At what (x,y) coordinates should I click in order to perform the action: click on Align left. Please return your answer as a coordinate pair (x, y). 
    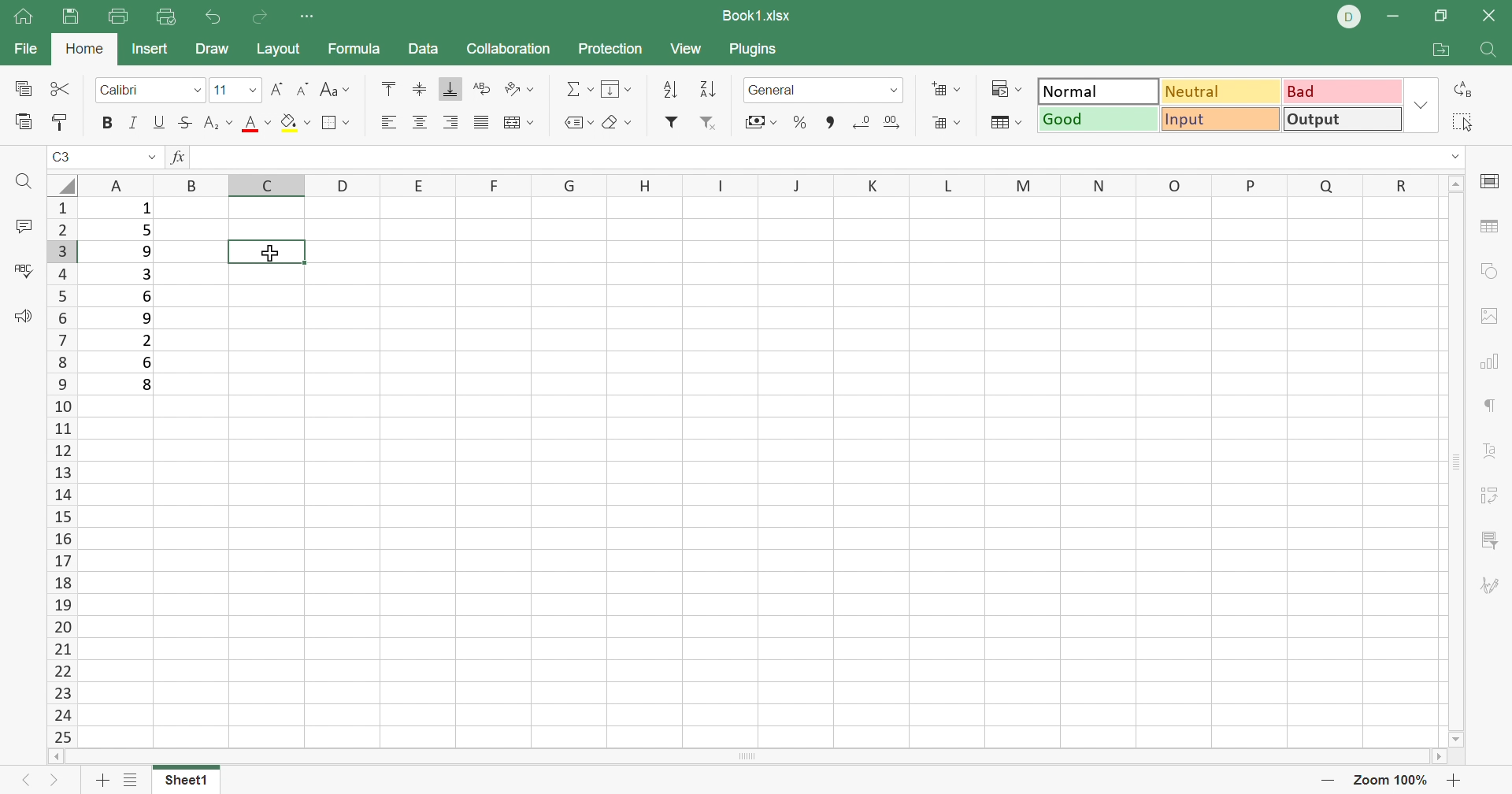
    Looking at the image, I should click on (388, 122).